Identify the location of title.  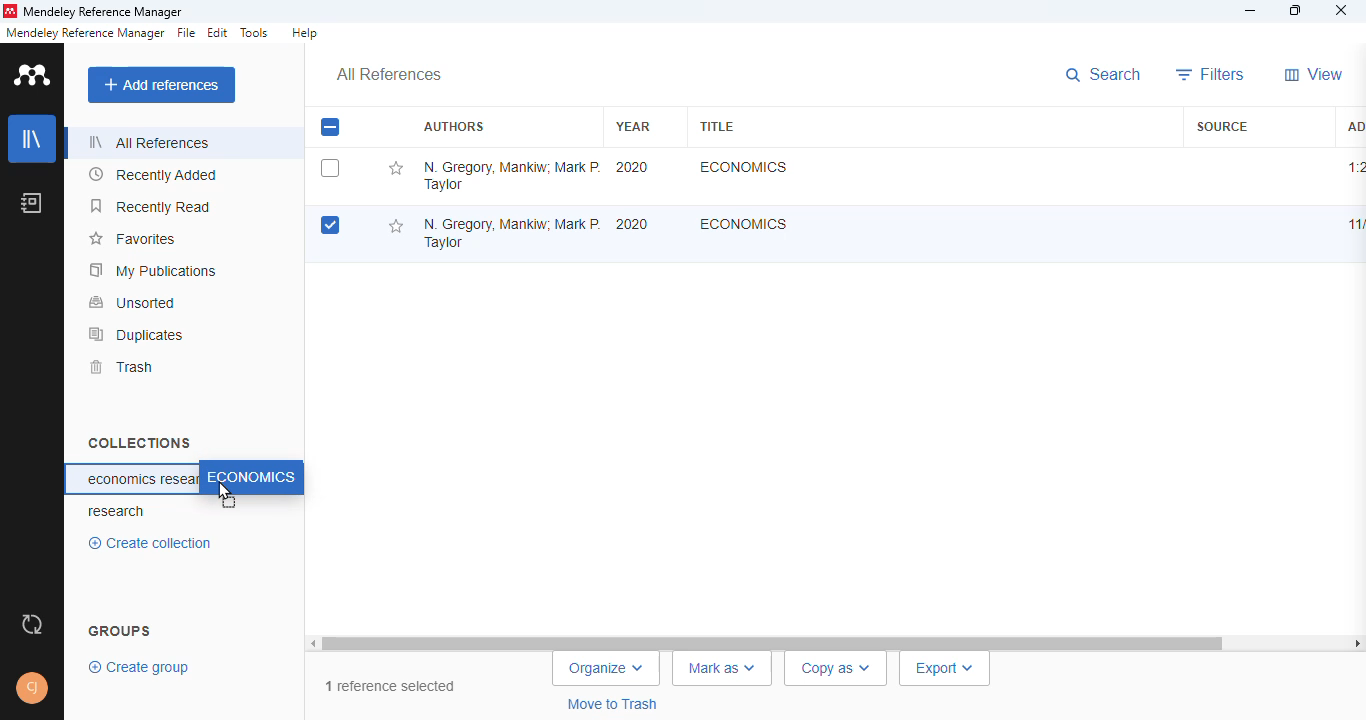
(716, 126).